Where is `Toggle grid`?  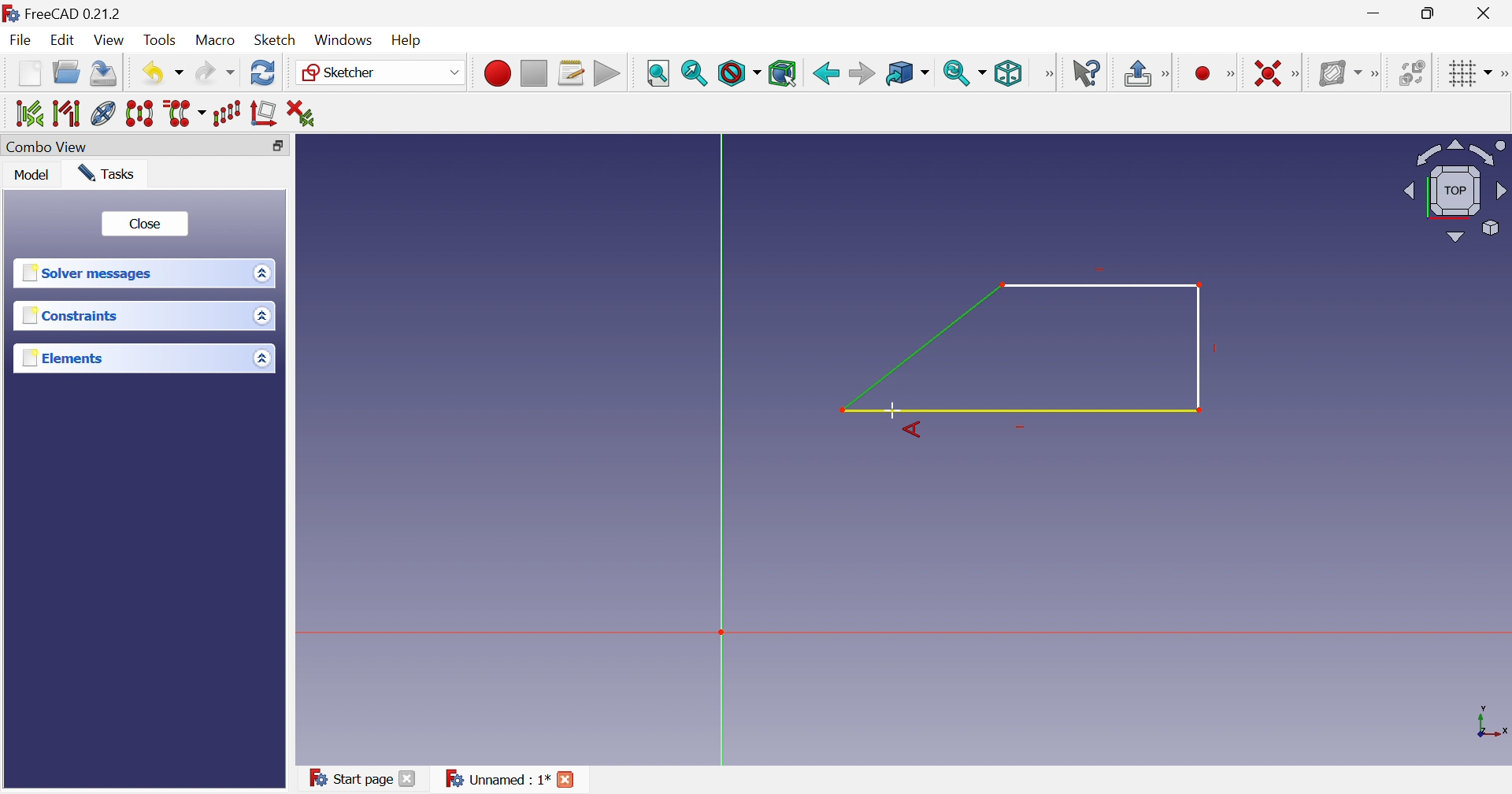
Toggle grid is located at coordinates (1458, 73).